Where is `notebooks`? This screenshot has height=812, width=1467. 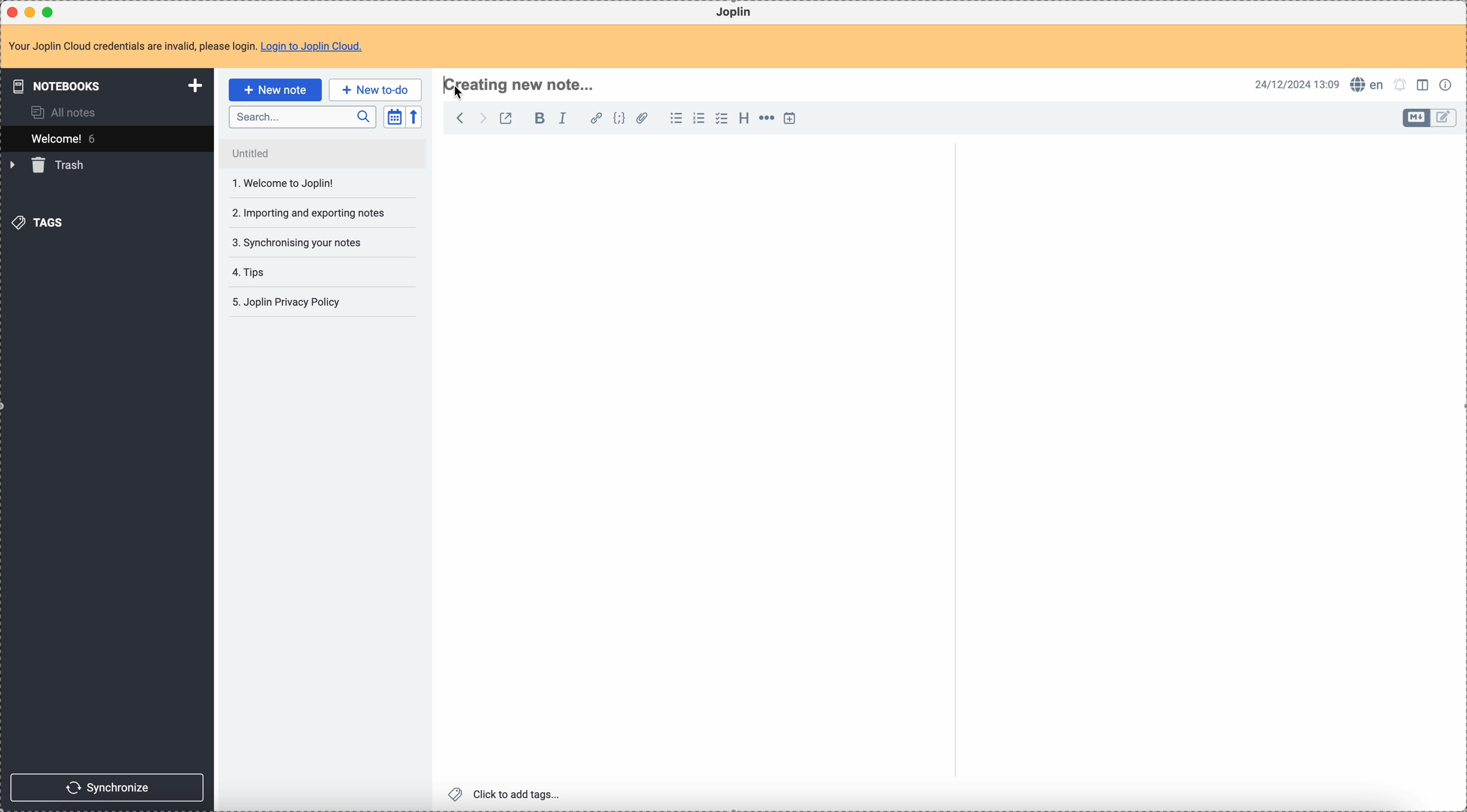 notebooks is located at coordinates (109, 85).